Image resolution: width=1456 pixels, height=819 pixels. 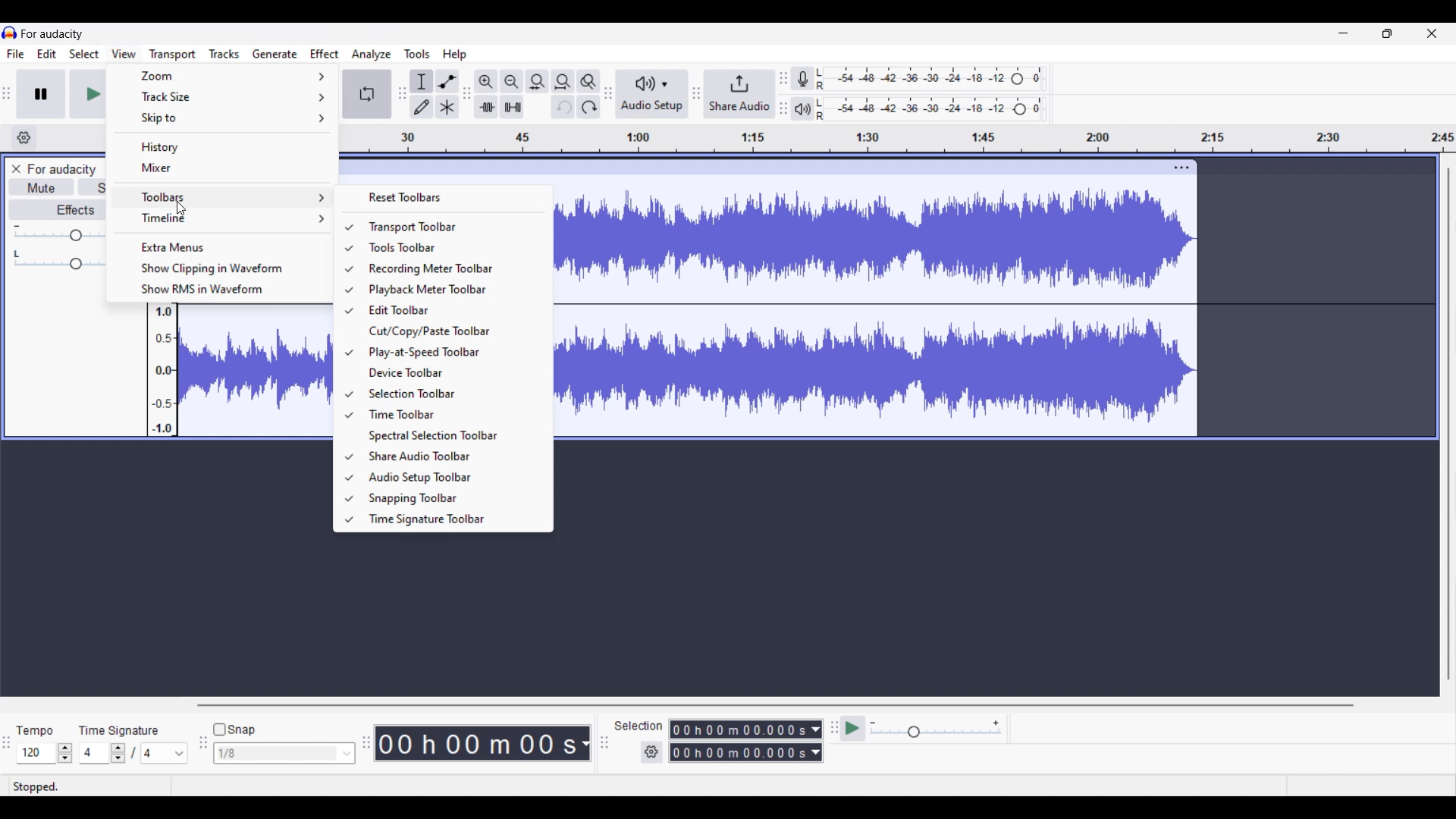 What do you see at coordinates (223, 118) in the screenshot?
I see `Skip to options` at bounding box center [223, 118].